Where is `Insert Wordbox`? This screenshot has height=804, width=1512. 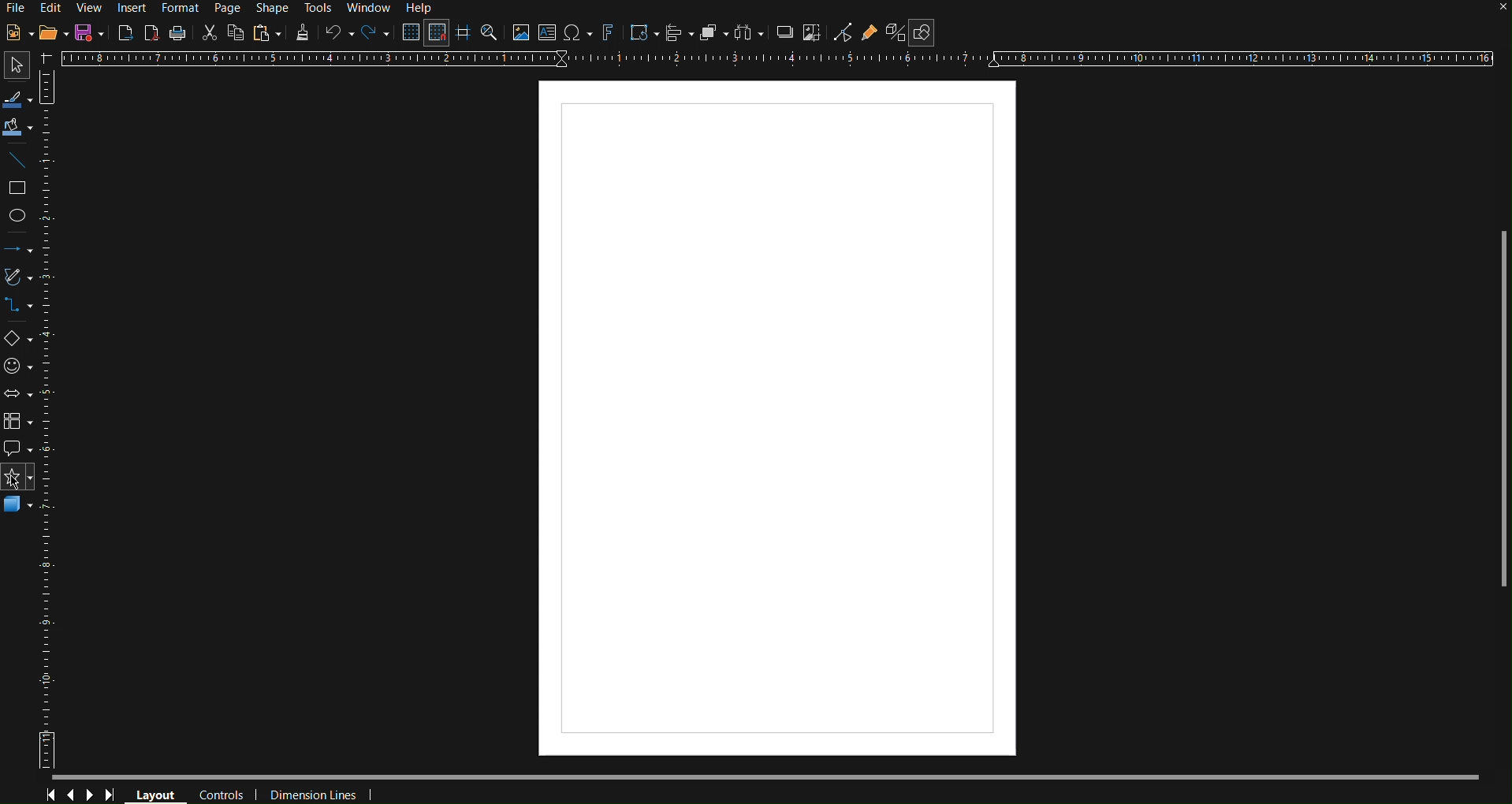 Insert Wordbox is located at coordinates (548, 34).